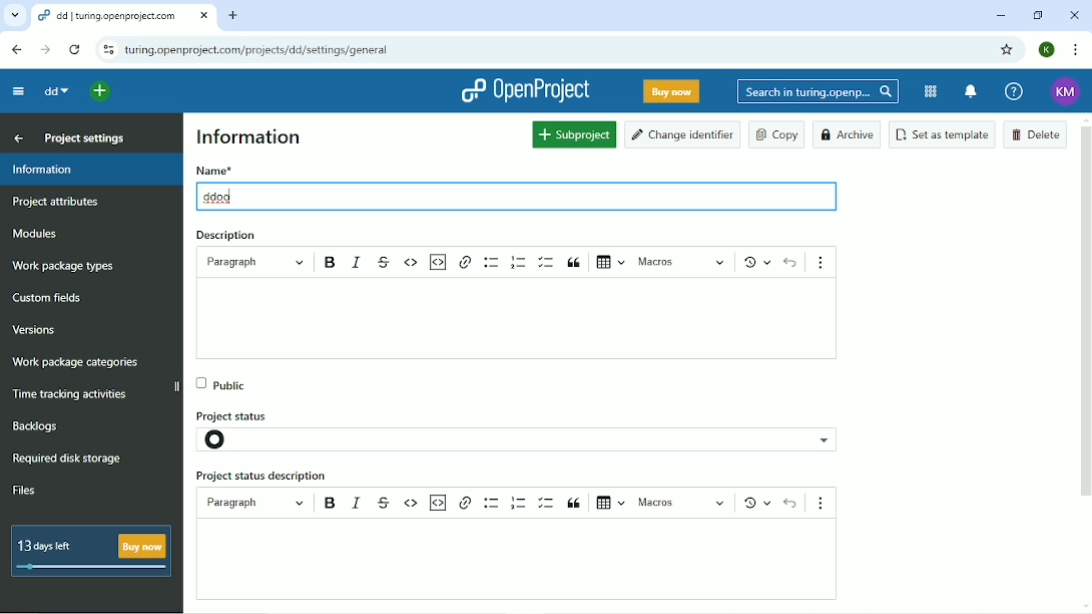 This screenshot has height=614, width=1092. What do you see at coordinates (1047, 50) in the screenshot?
I see `K` at bounding box center [1047, 50].